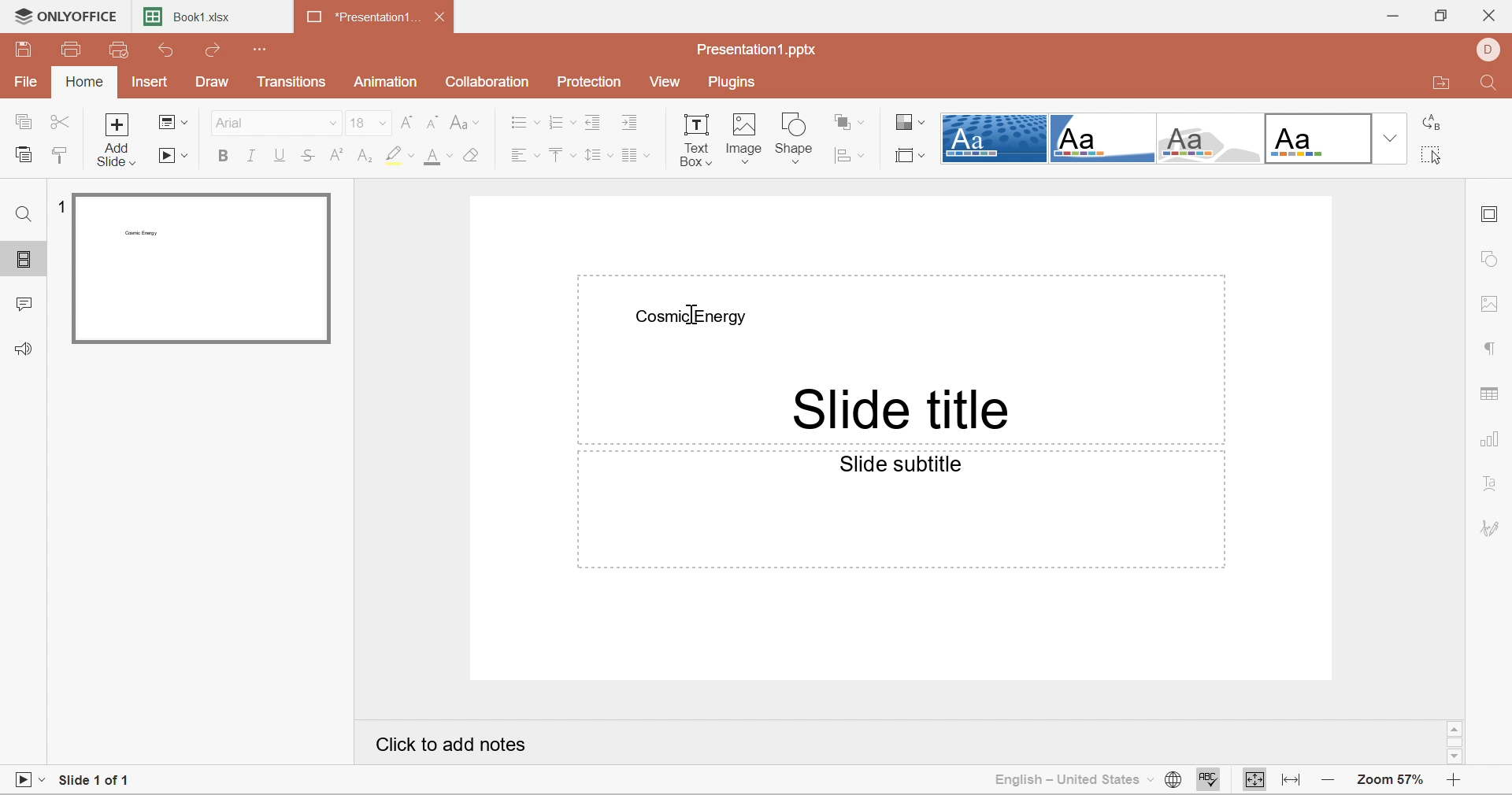 The width and height of the screenshot is (1512, 795). Describe the element at coordinates (176, 157) in the screenshot. I see `Start slideshow` at that location.